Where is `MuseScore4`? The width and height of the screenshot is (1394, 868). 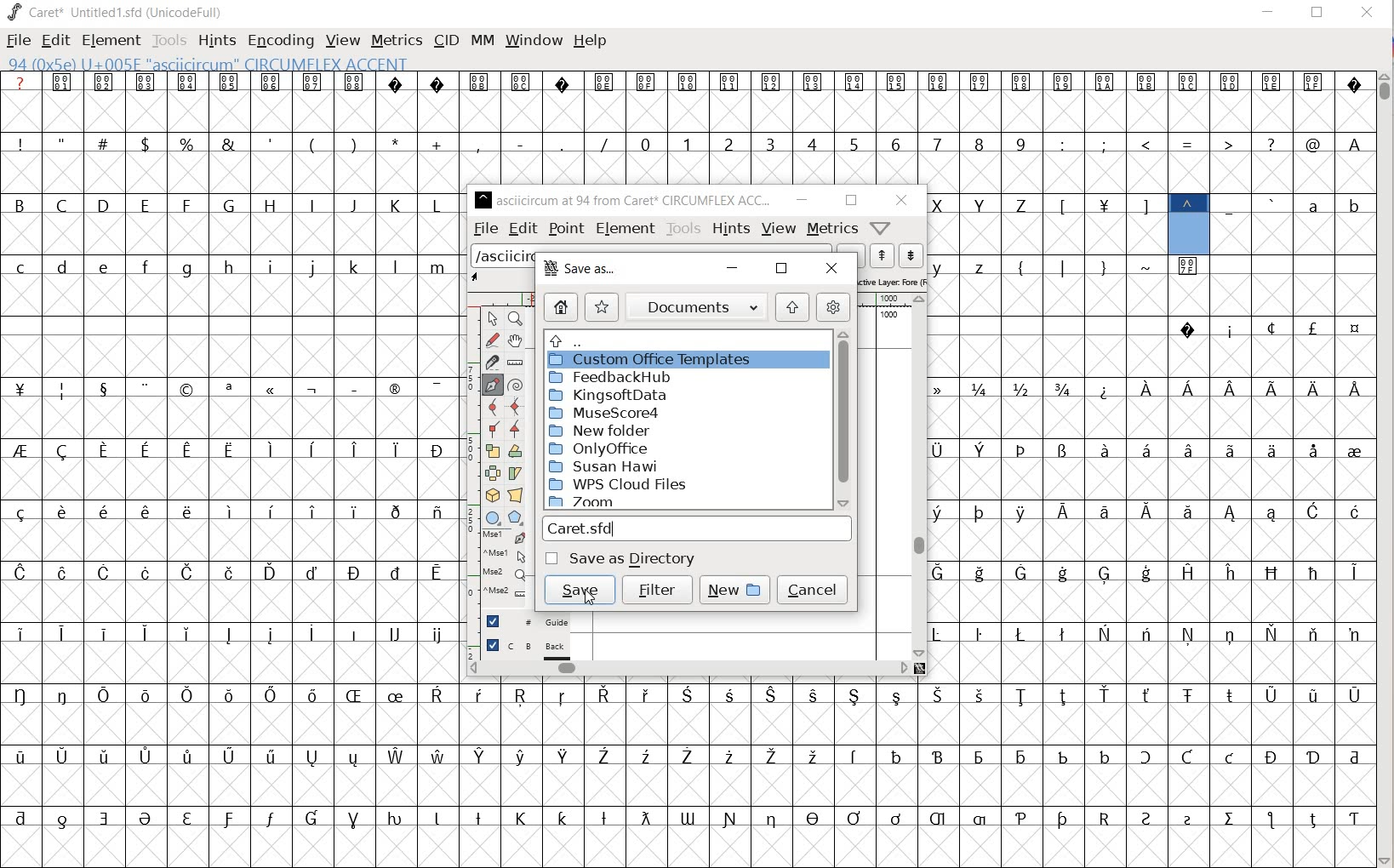
MuseScore4 is located at coordinates (606, 413).